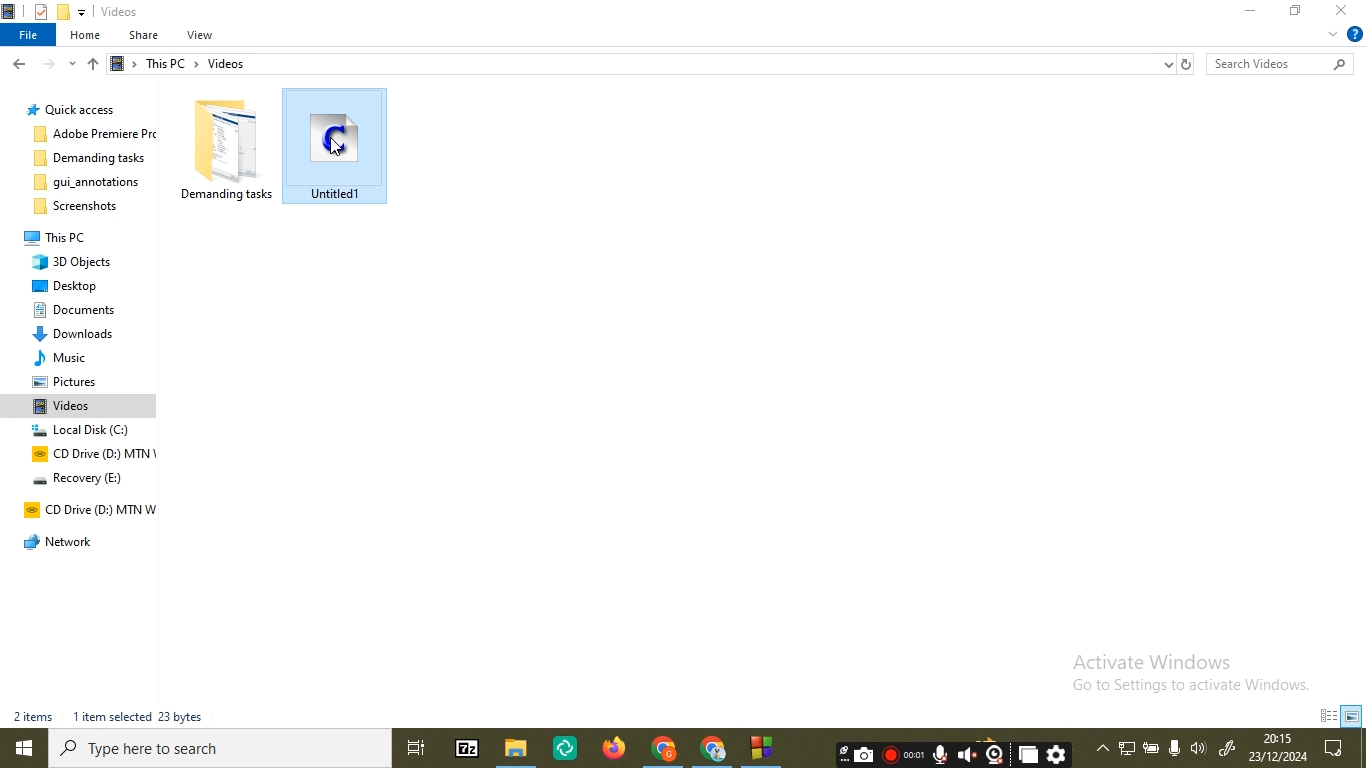 The height and width of the screenshot is (768, 1366). What do you see at coordinates (122, 12) in the screenshot?
I see `video` at bounding box center [122, 12].